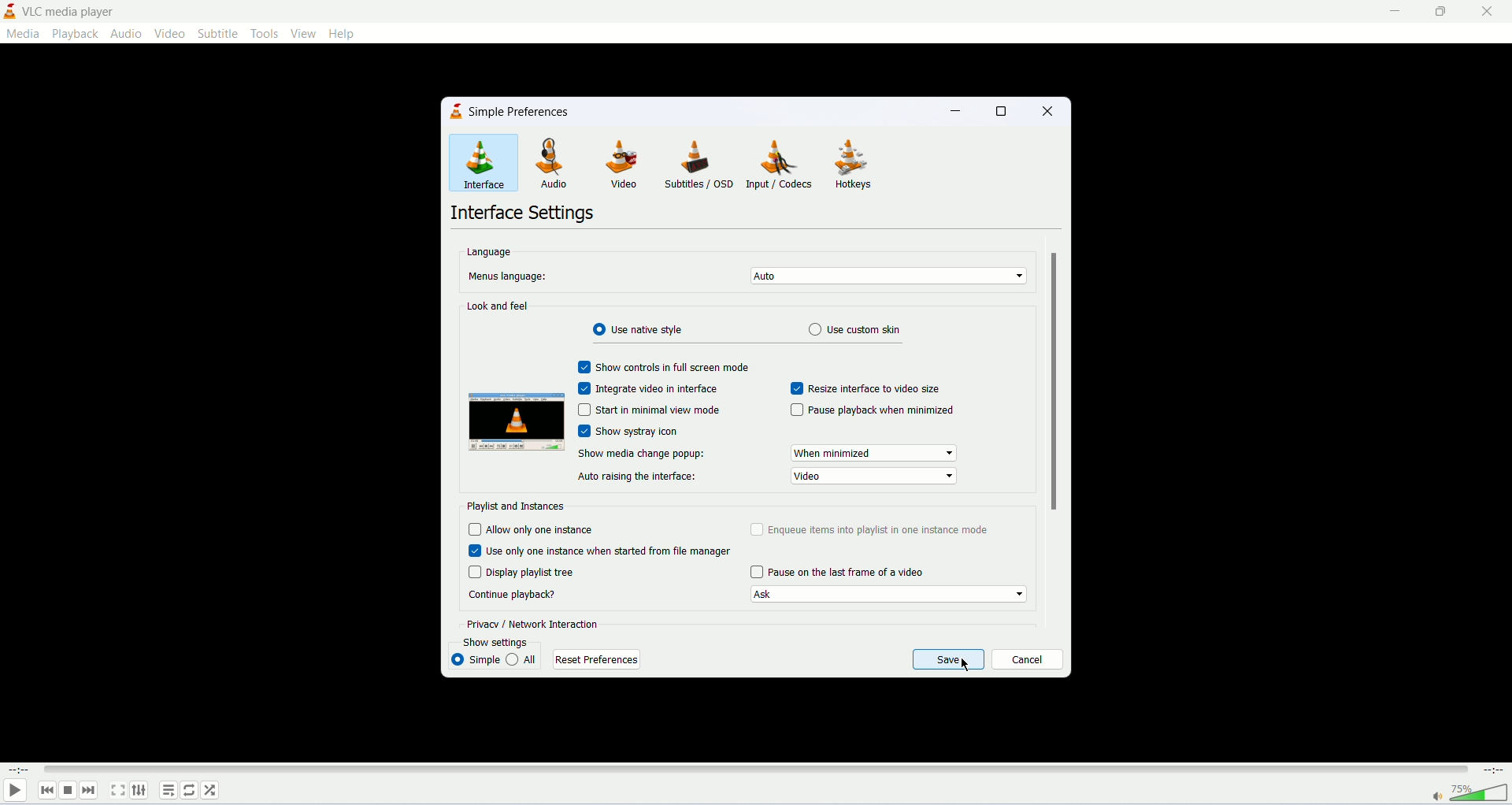 This screenshot has height=805, width=1512. I want to click on audio, so click(128, 35).